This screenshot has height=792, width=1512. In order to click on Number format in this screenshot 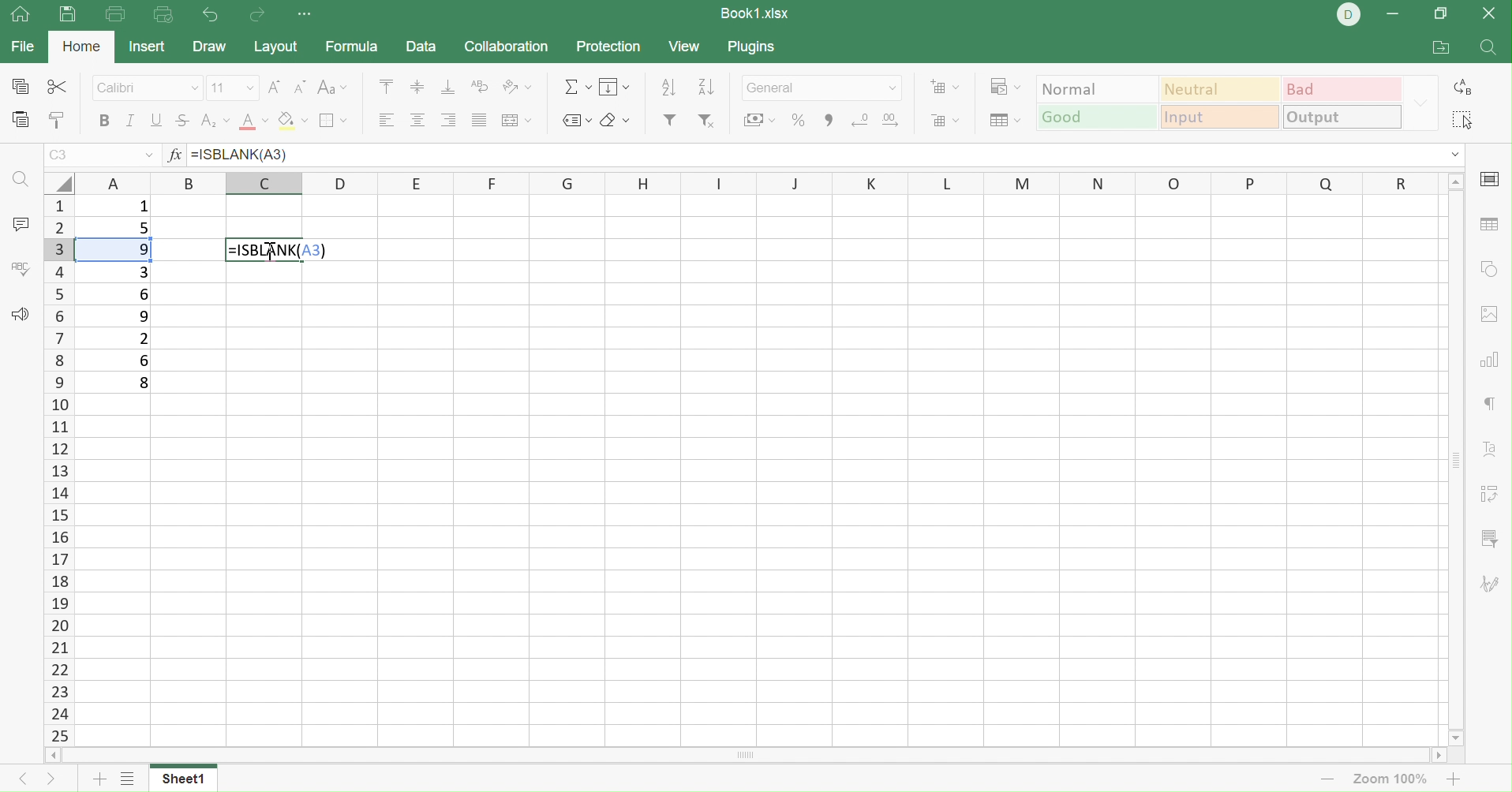, I will do `click(807, 87)`.